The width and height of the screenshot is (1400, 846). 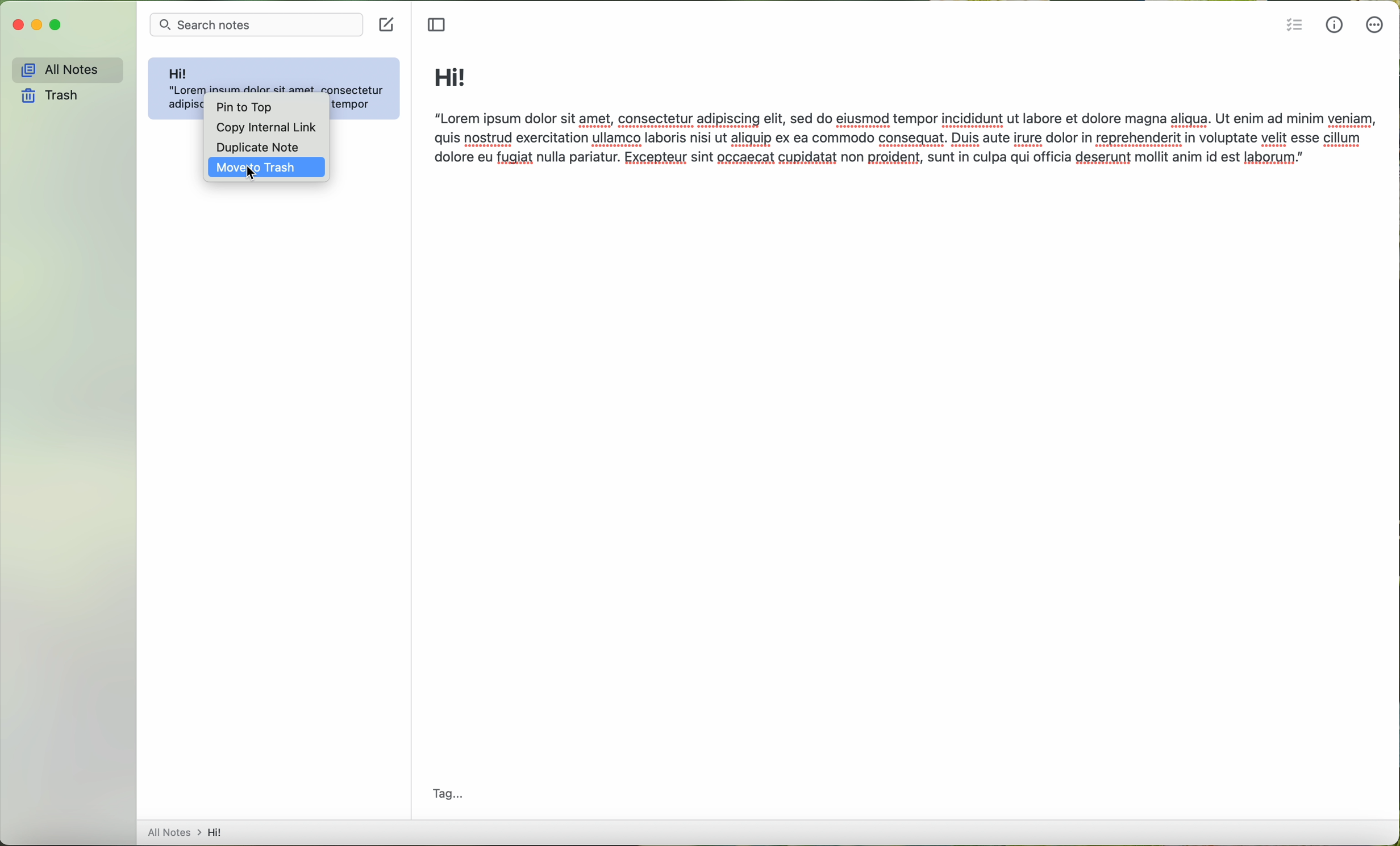 I want to click on all notes > hi!, so click(x=188, y=832).